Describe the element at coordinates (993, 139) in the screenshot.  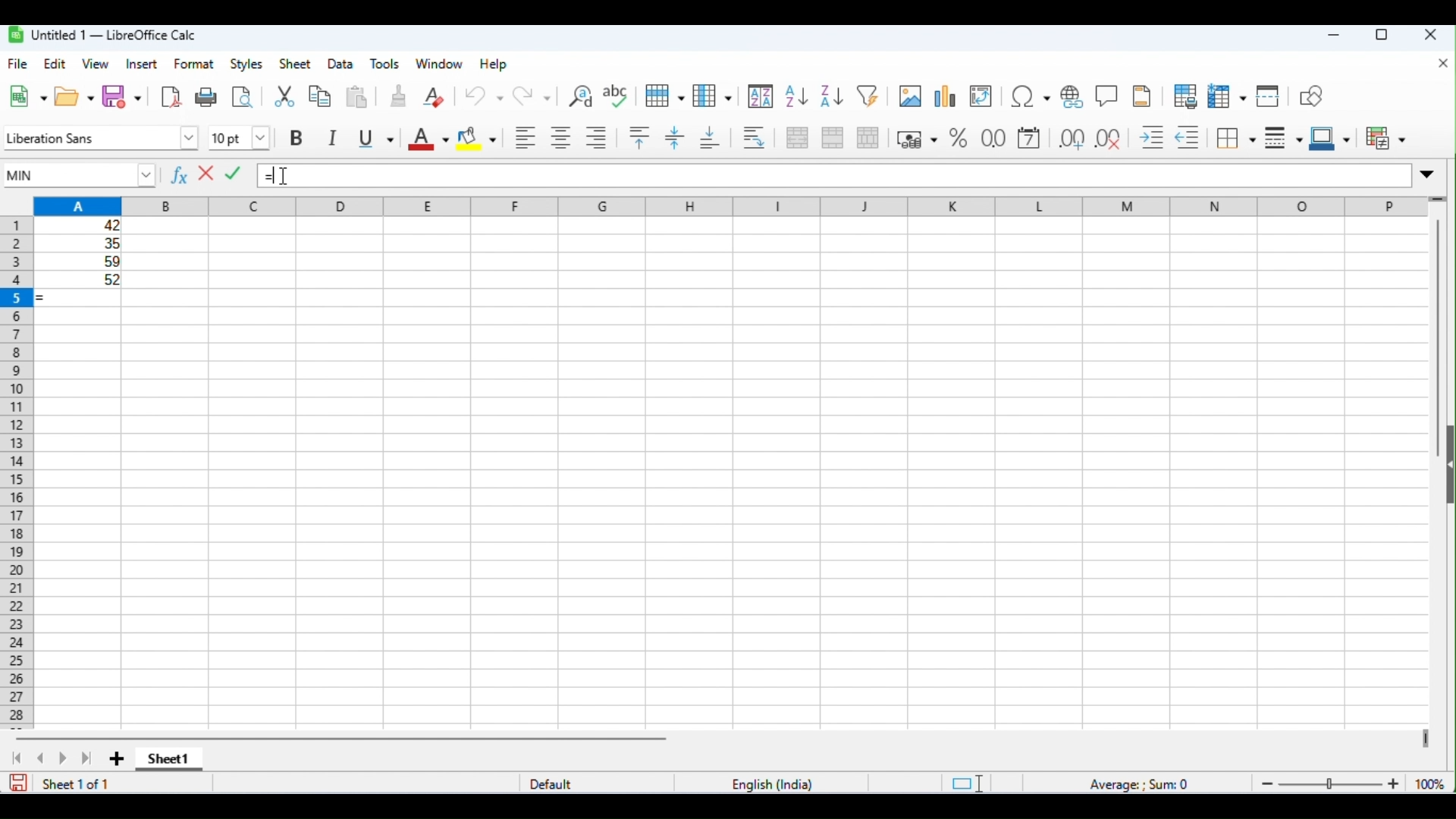
I see `format as number` at that location.